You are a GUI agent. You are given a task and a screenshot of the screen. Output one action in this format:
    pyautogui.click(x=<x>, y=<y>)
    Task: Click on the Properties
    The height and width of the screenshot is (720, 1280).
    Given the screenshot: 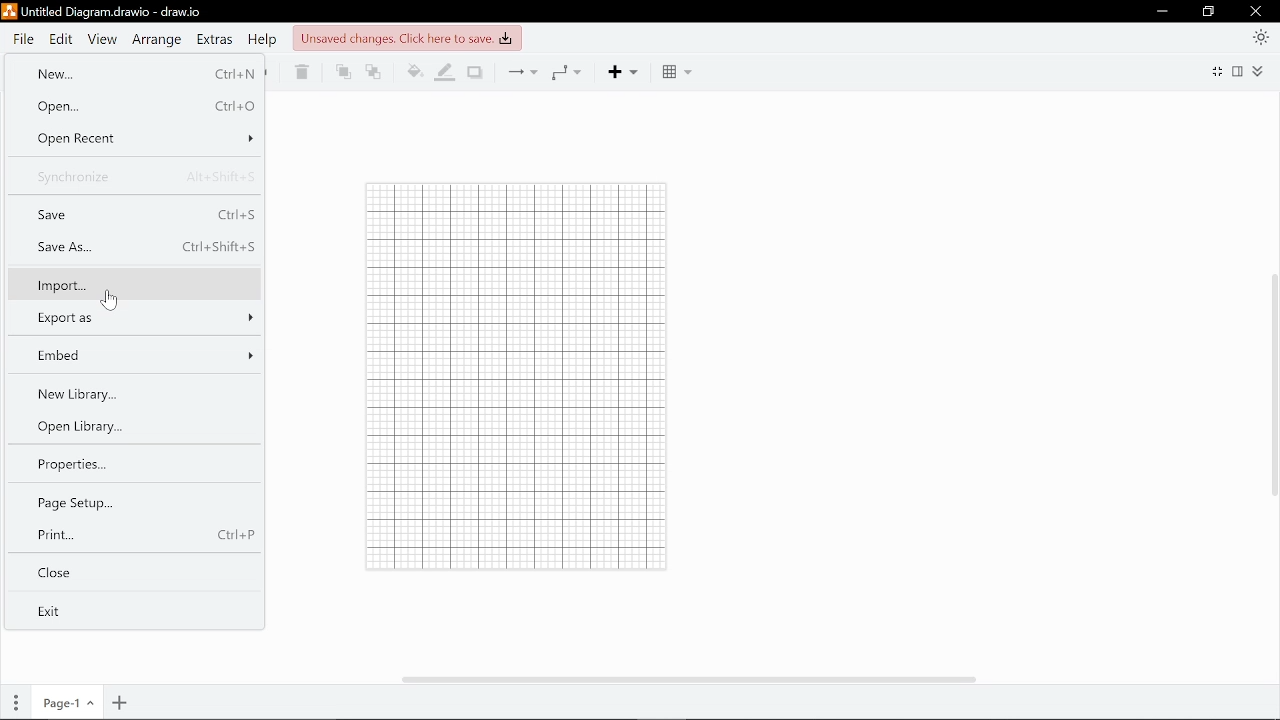 What is the action you would take?
    pyautogui.click(x=126, y=463)
    